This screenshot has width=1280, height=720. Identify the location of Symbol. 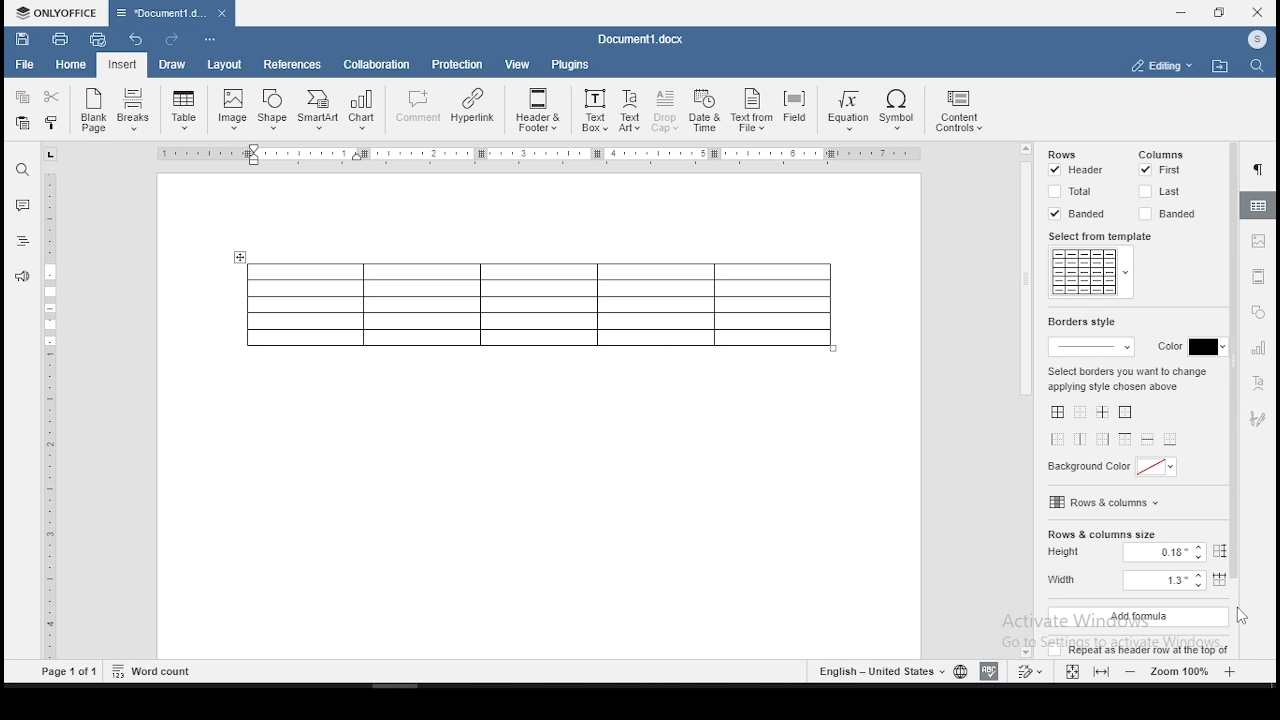
(900, 112).